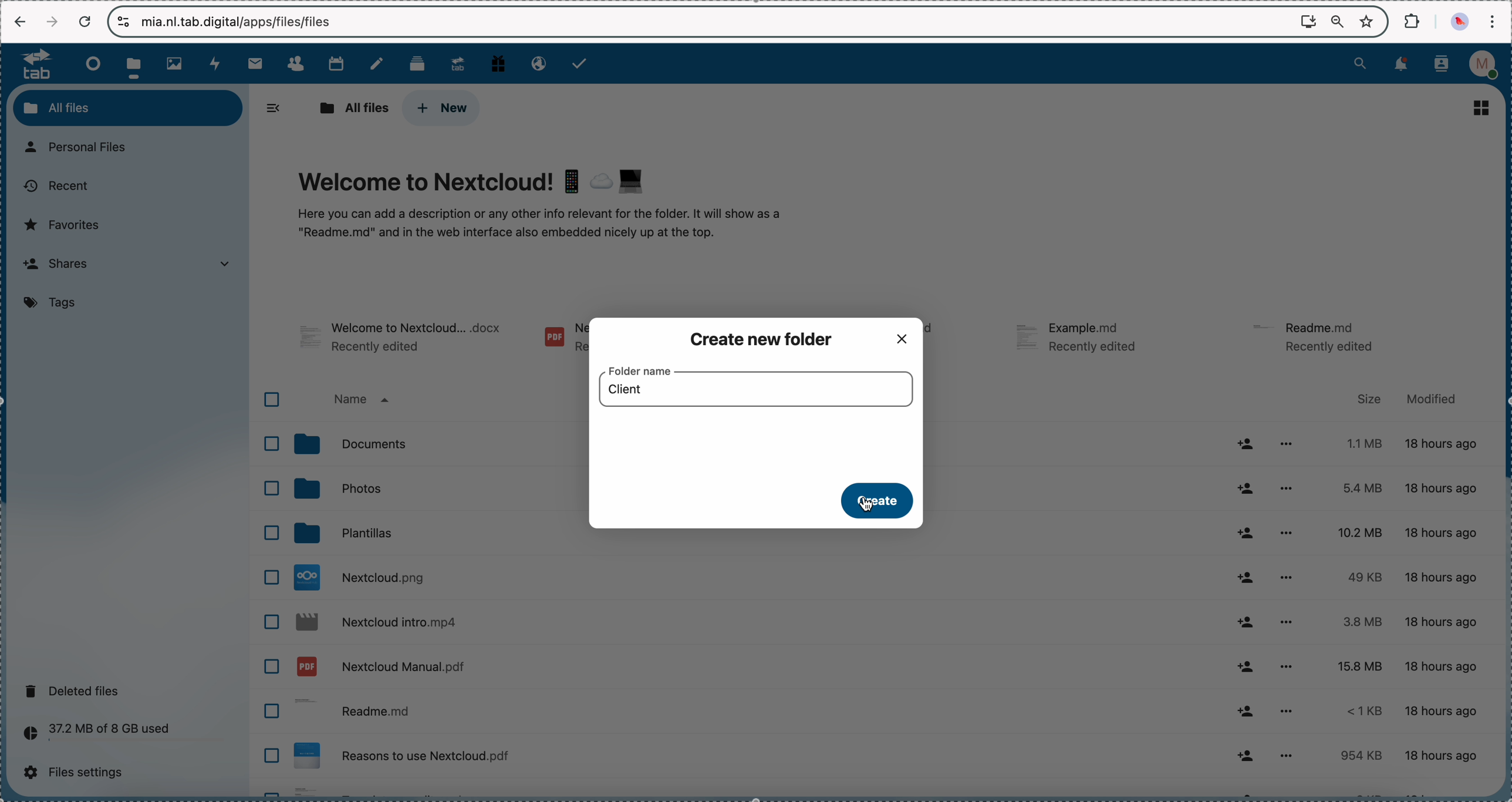  I want to click on file, so click(1082, 340).